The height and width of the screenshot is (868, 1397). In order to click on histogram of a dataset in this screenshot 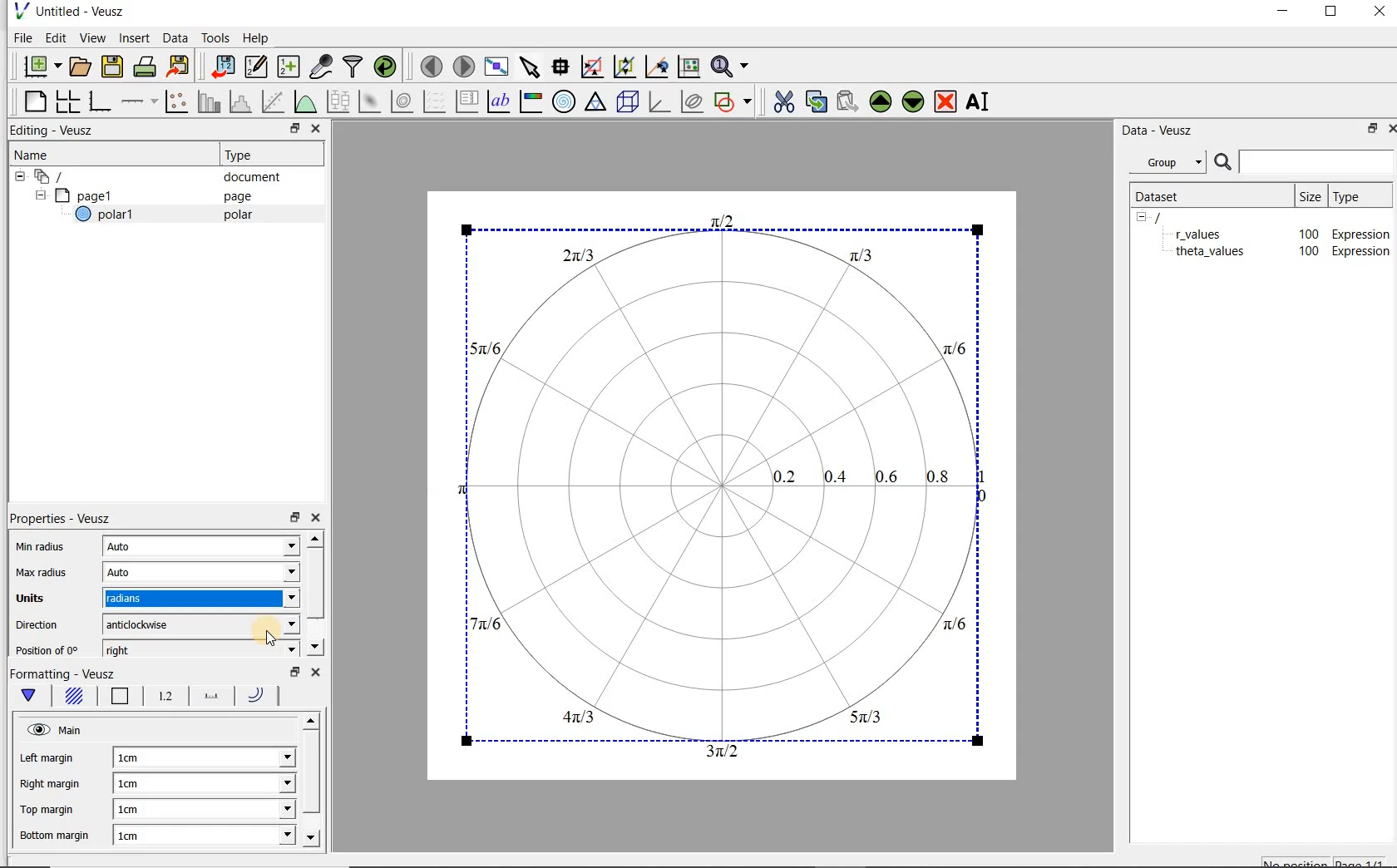, I will do `click(243, 101)`.